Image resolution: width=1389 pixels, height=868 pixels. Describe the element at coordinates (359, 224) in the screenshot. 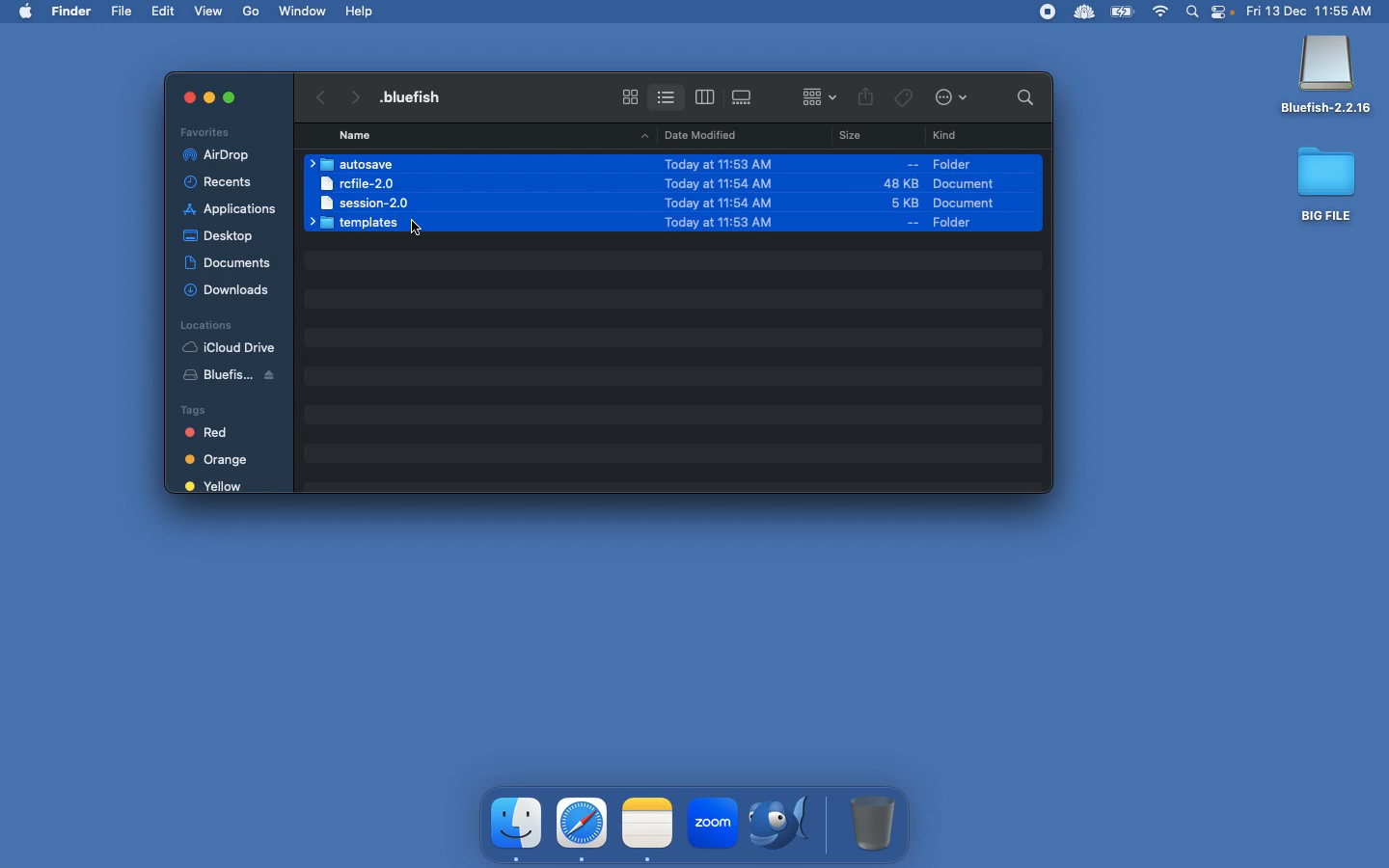

I see `Folders` at that location.